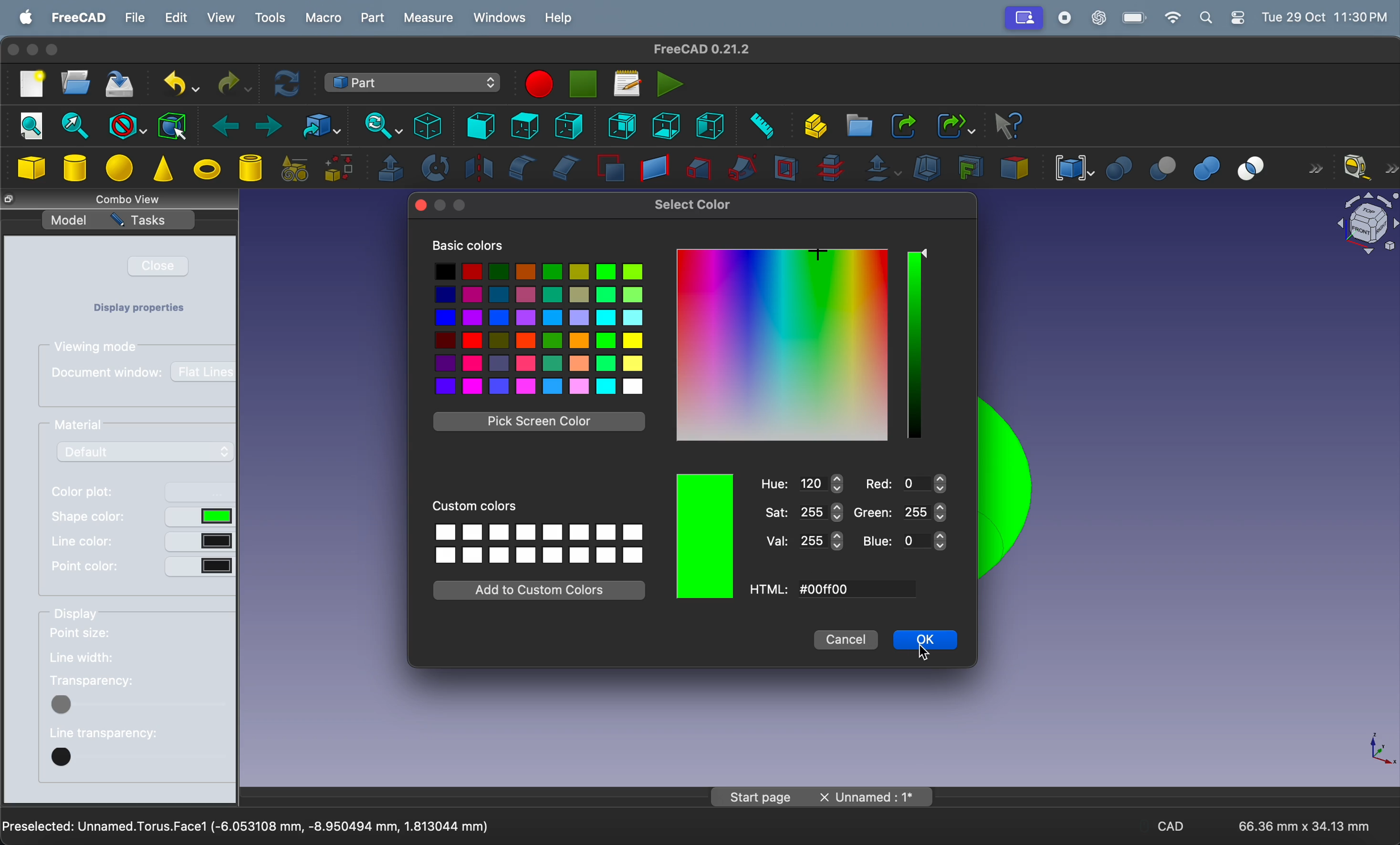 Image resolution: width=1400 pixels, height=845 pixels. What do you see at coordinates (695, 49) in the screenshot?
I see `freeCad title` at bounding box center [695, 49].